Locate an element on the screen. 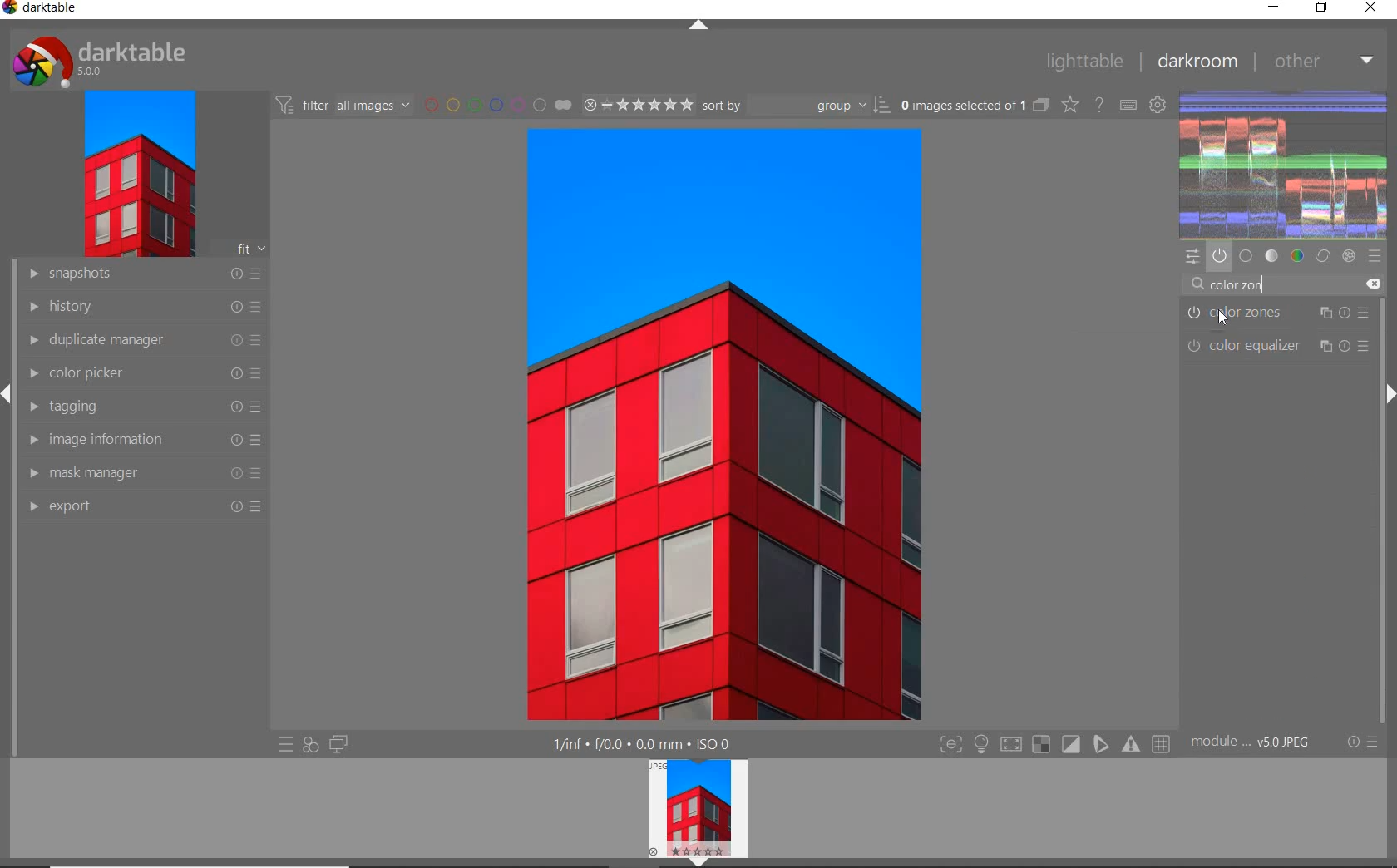 The image size is (1397, 868). system logo & name is located at coordinates (102, 62).